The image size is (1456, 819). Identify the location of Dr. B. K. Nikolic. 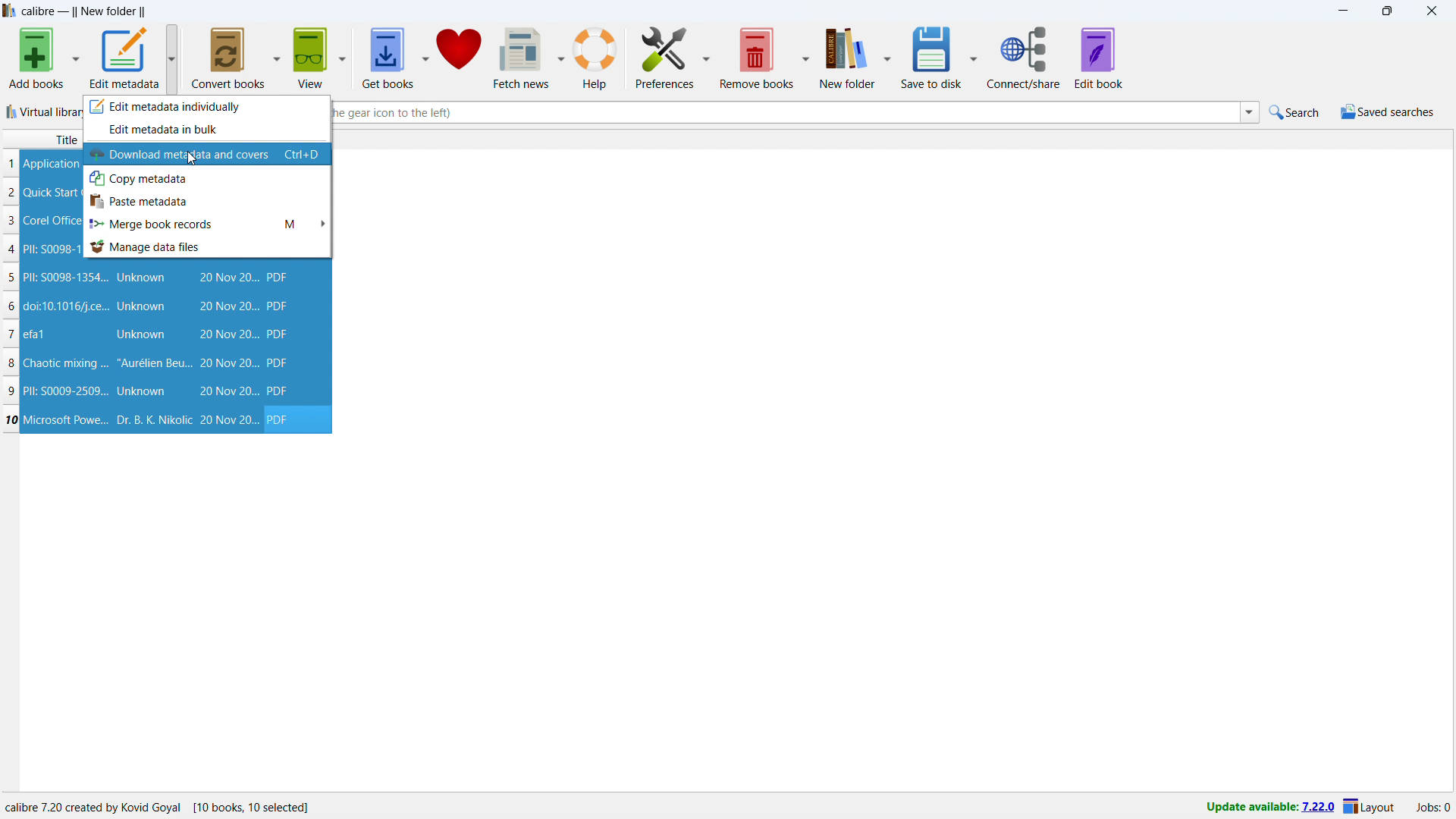
(152, 420).